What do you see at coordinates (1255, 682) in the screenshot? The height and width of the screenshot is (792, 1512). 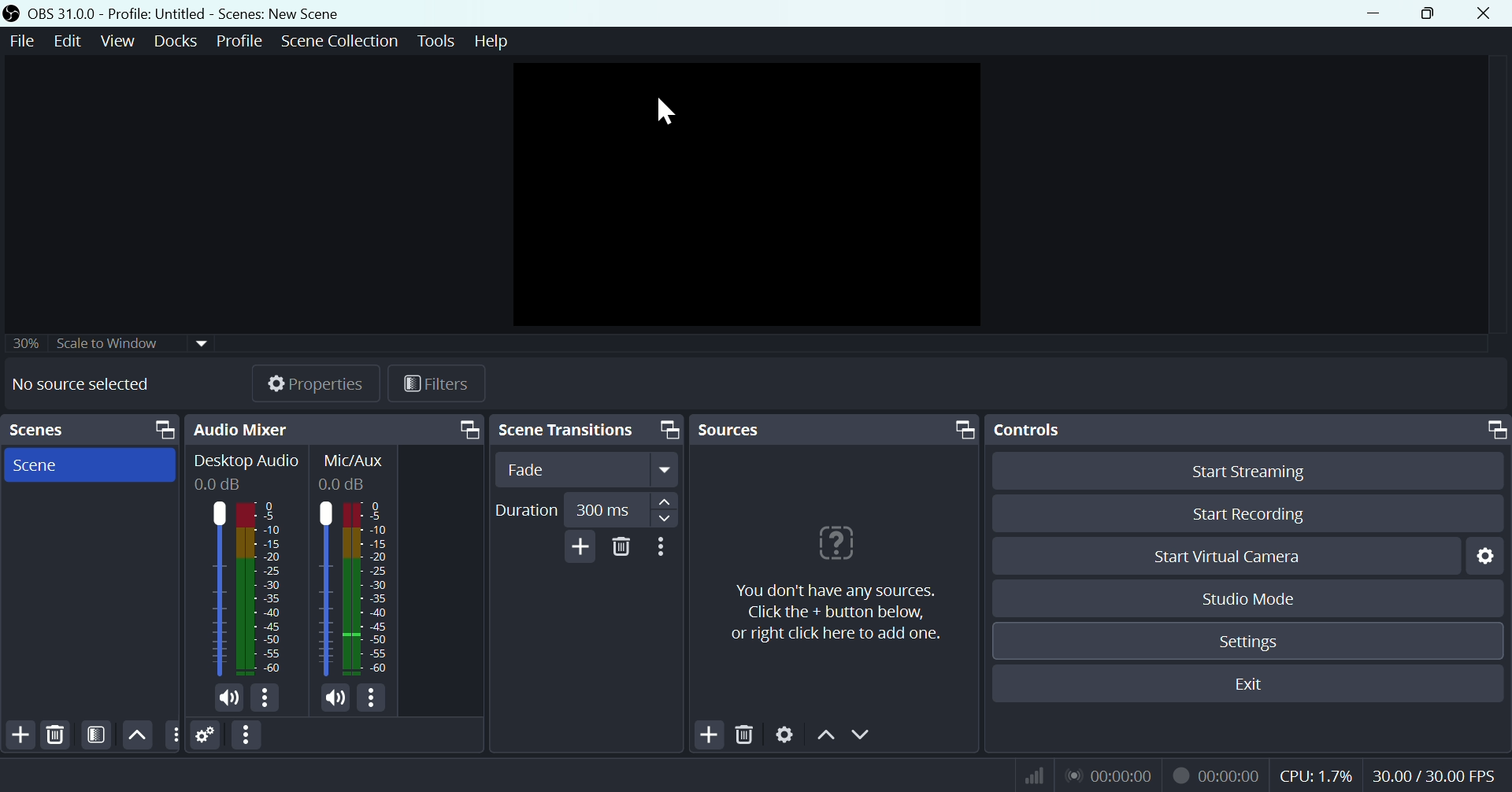 I see `Exit` at bounding box center [1255, 682].